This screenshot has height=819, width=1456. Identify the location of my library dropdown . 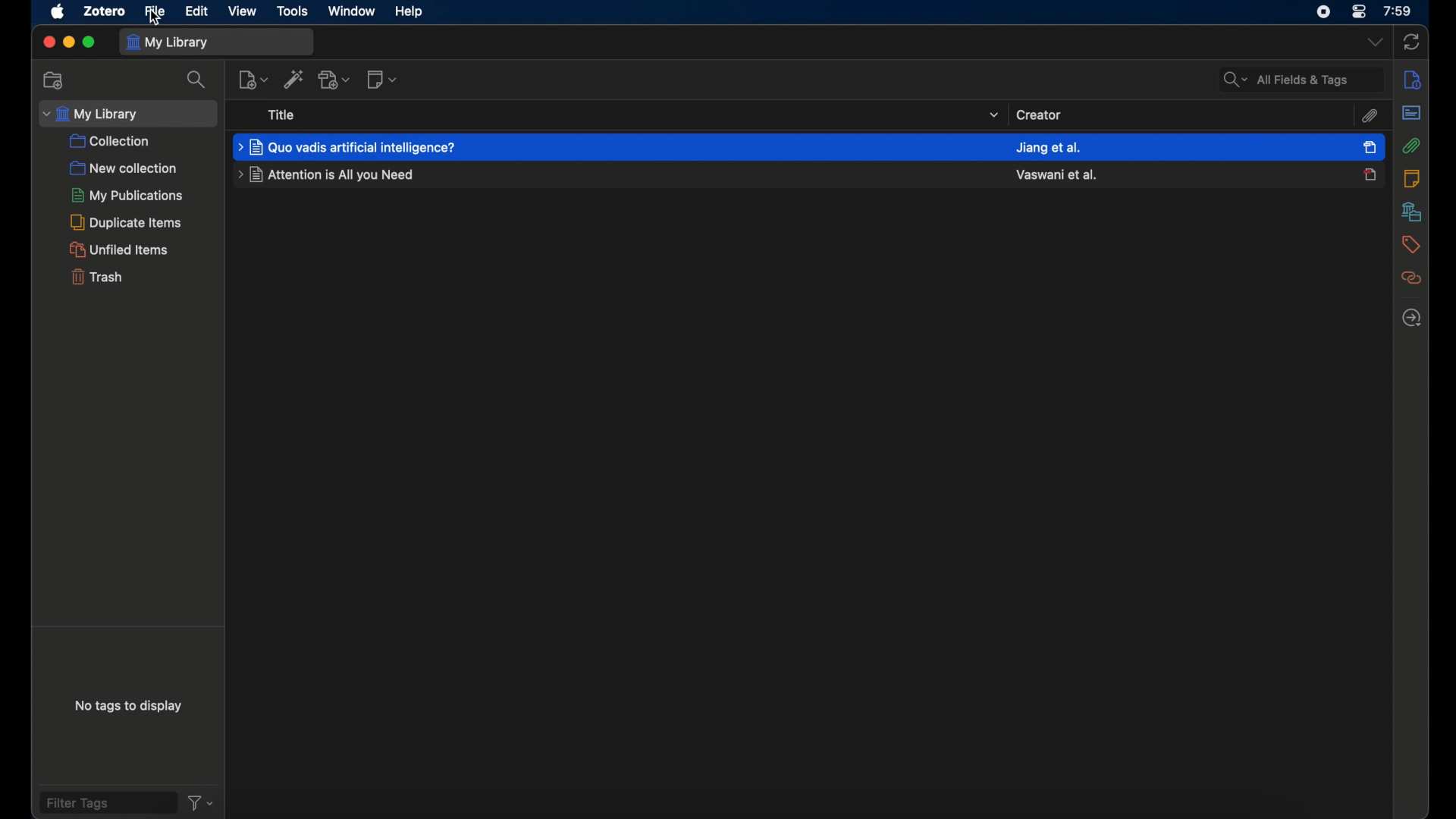
(127, 114).